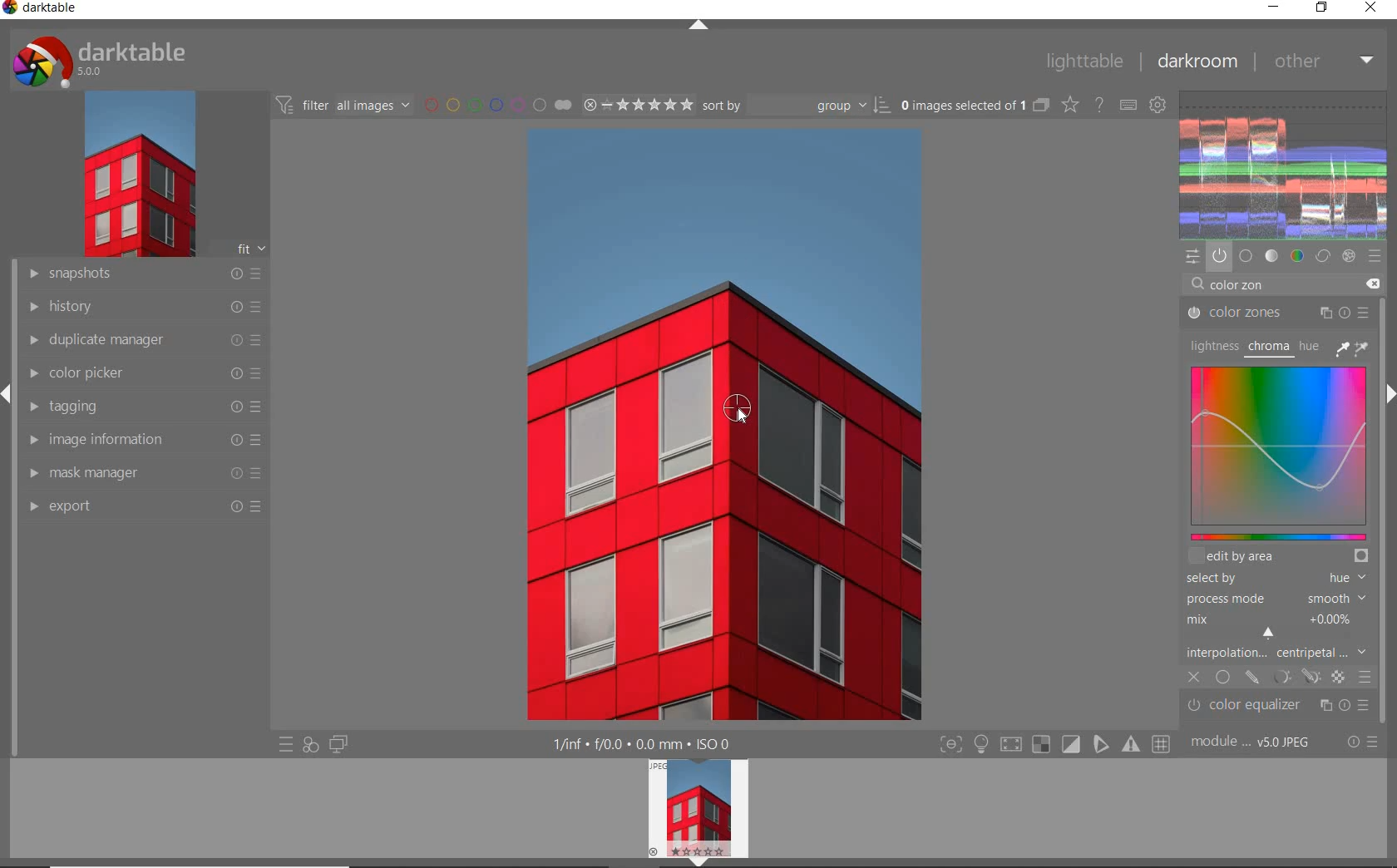 The image size is (1397, 868). What do you see at coordinates (1072, 744) in the screenshot?
I see `soft proofing` at bounding box center [1072, 744].